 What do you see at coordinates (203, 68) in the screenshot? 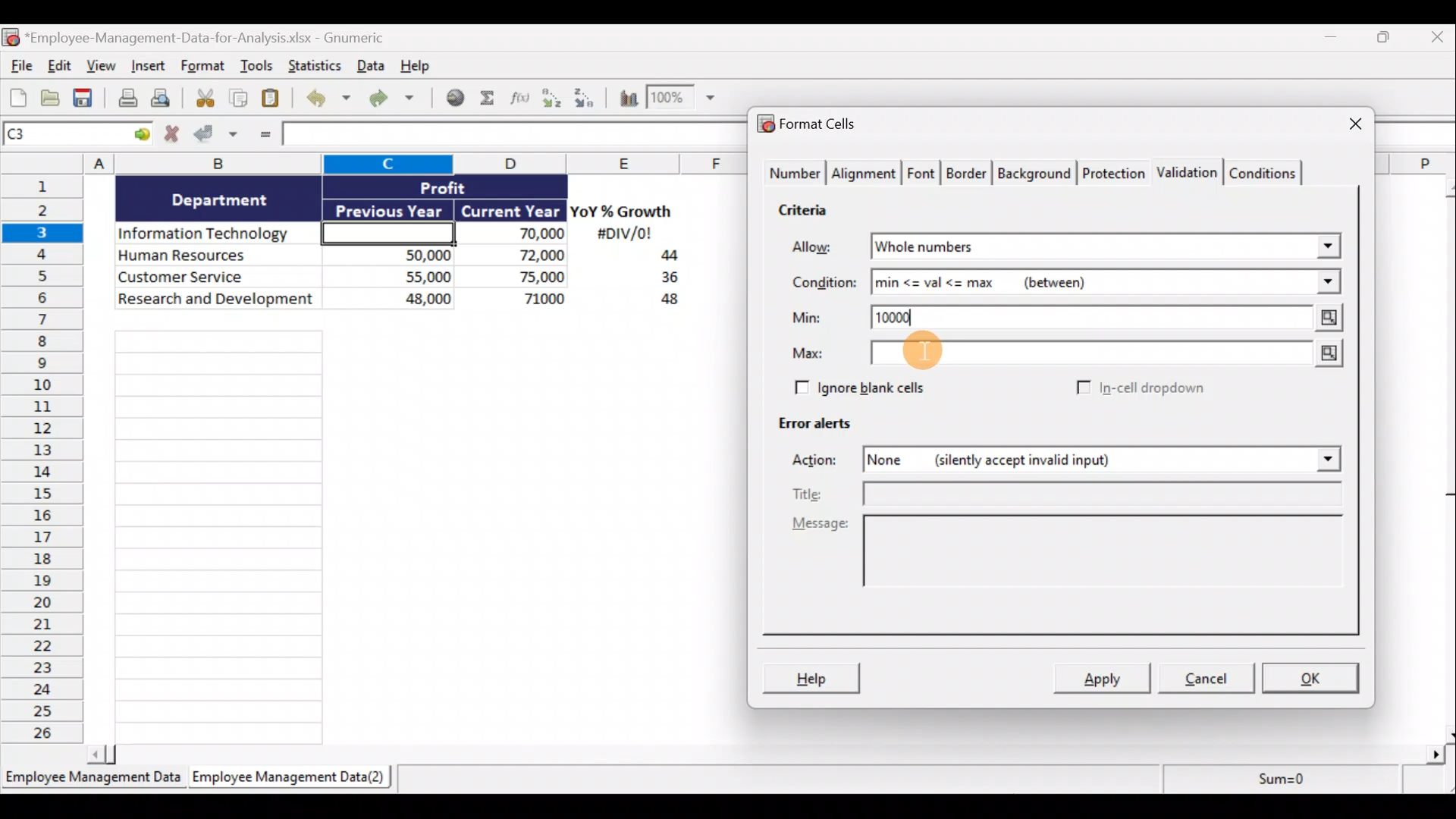
I see `Format` at bounding box center [203, 68].